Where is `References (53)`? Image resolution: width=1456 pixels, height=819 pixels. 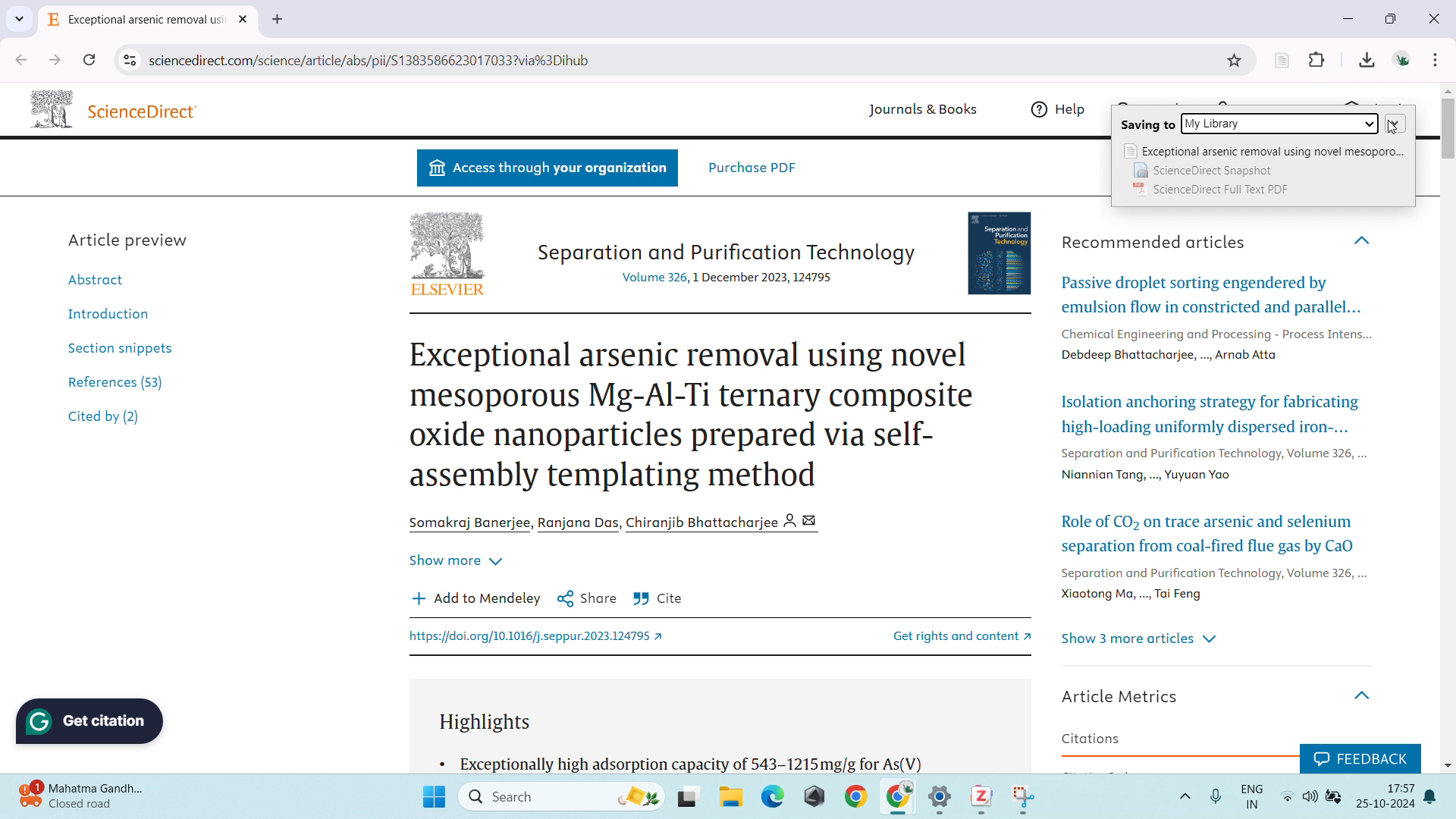
References (53) is located at coordinates (120, 380).